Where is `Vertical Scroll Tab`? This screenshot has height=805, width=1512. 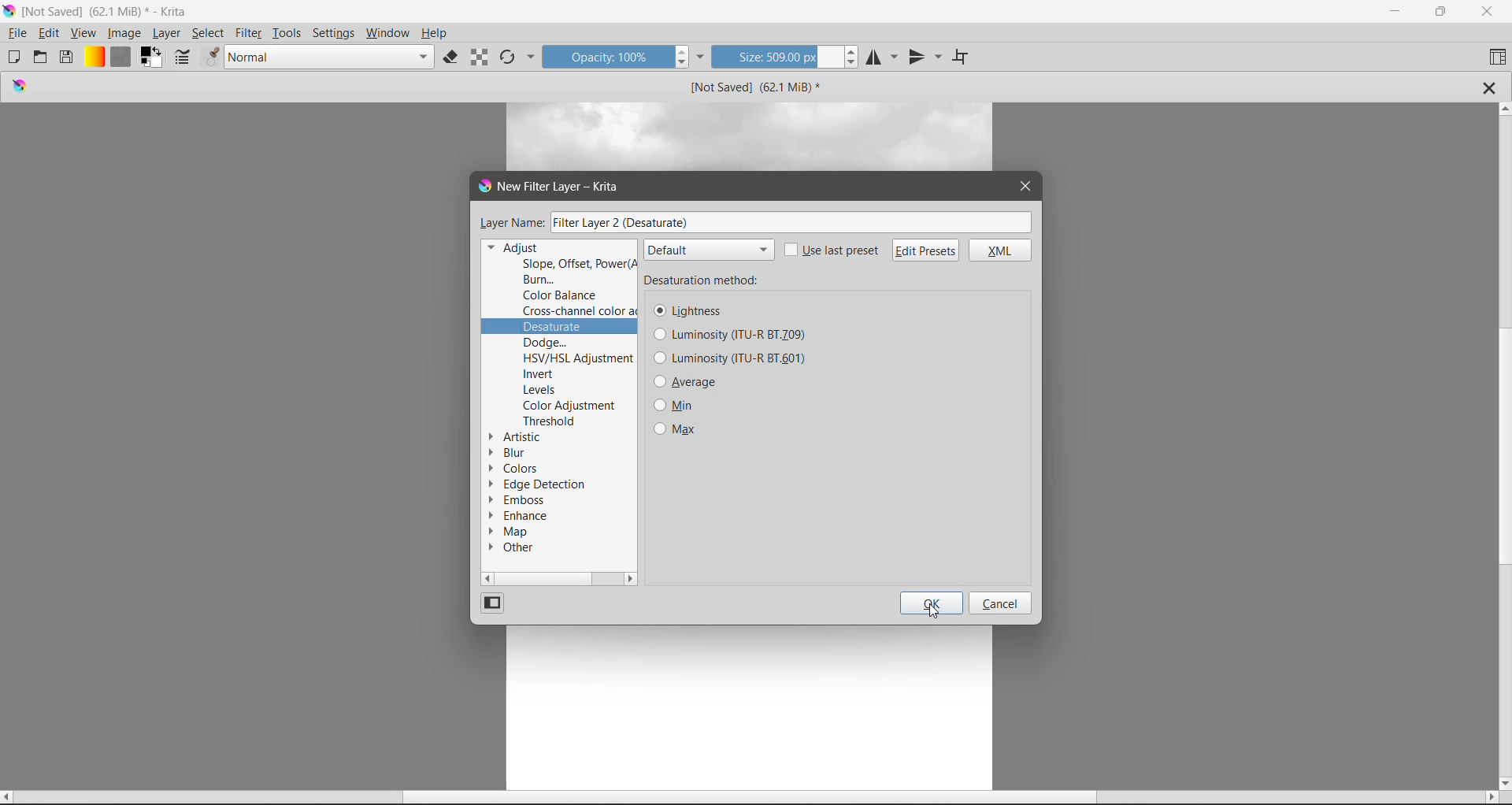
Vertical Scroll Tab is located at coordinates (1503, 445).